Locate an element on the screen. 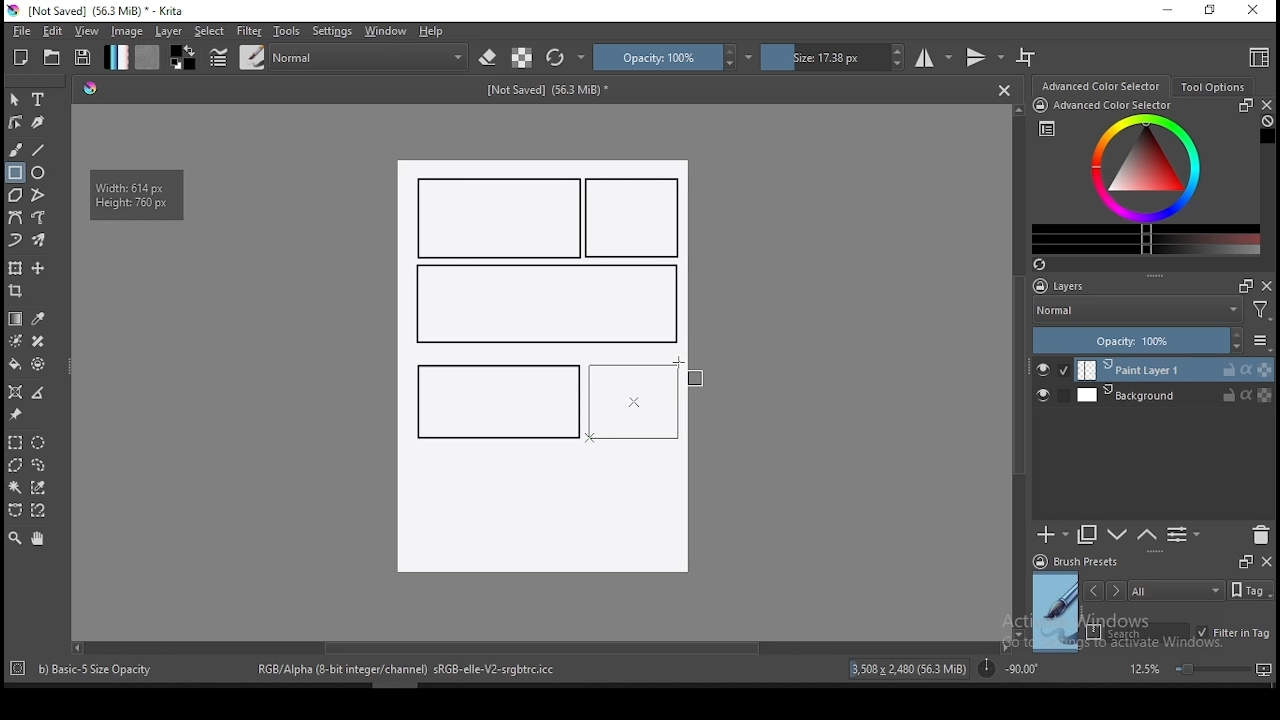 The height and width of the screenshot is (720, 1280). colorize mask tool is located at coordinates (17, 341).